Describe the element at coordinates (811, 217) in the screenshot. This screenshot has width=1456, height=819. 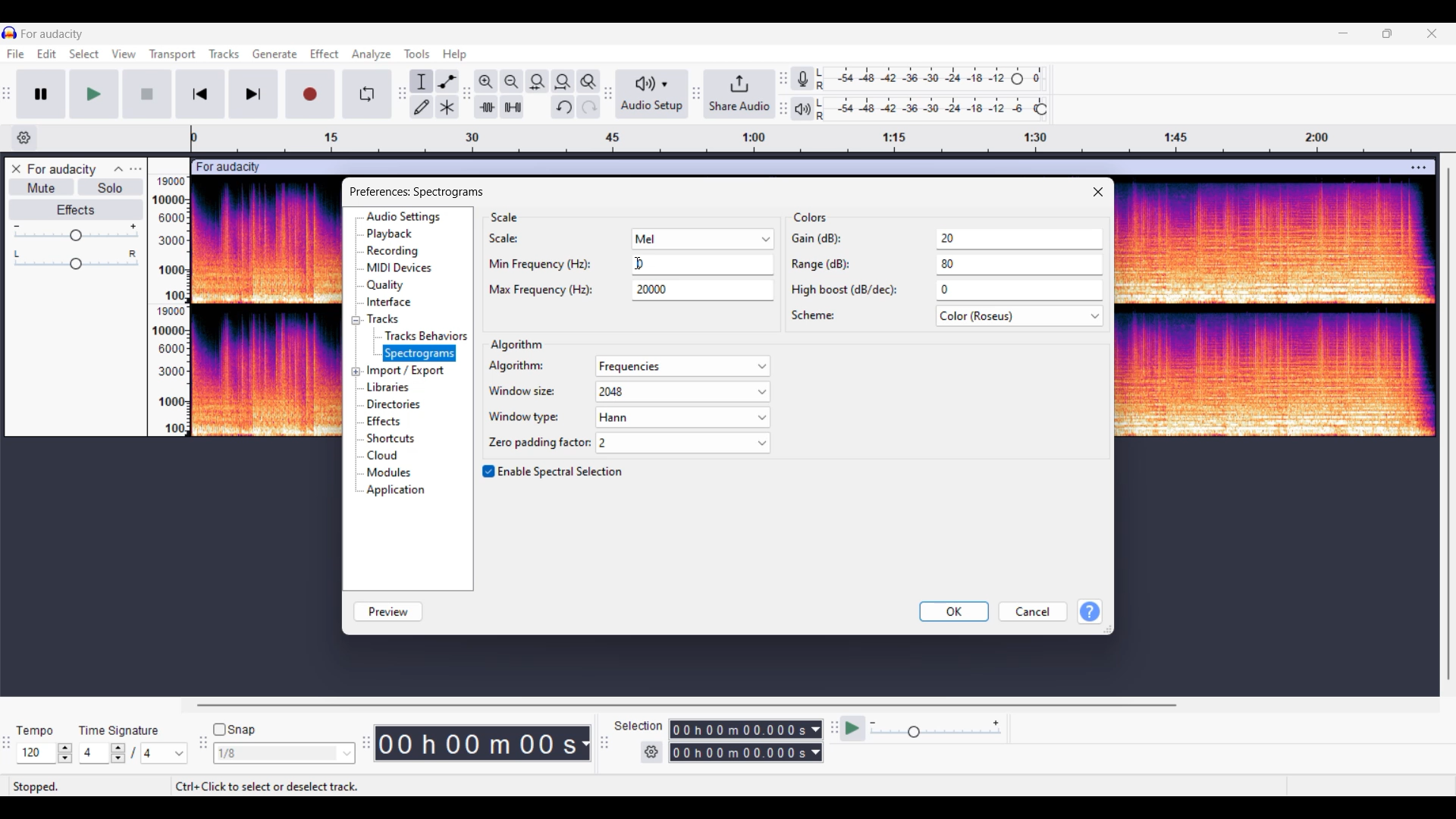
I see `Section title` at that location.